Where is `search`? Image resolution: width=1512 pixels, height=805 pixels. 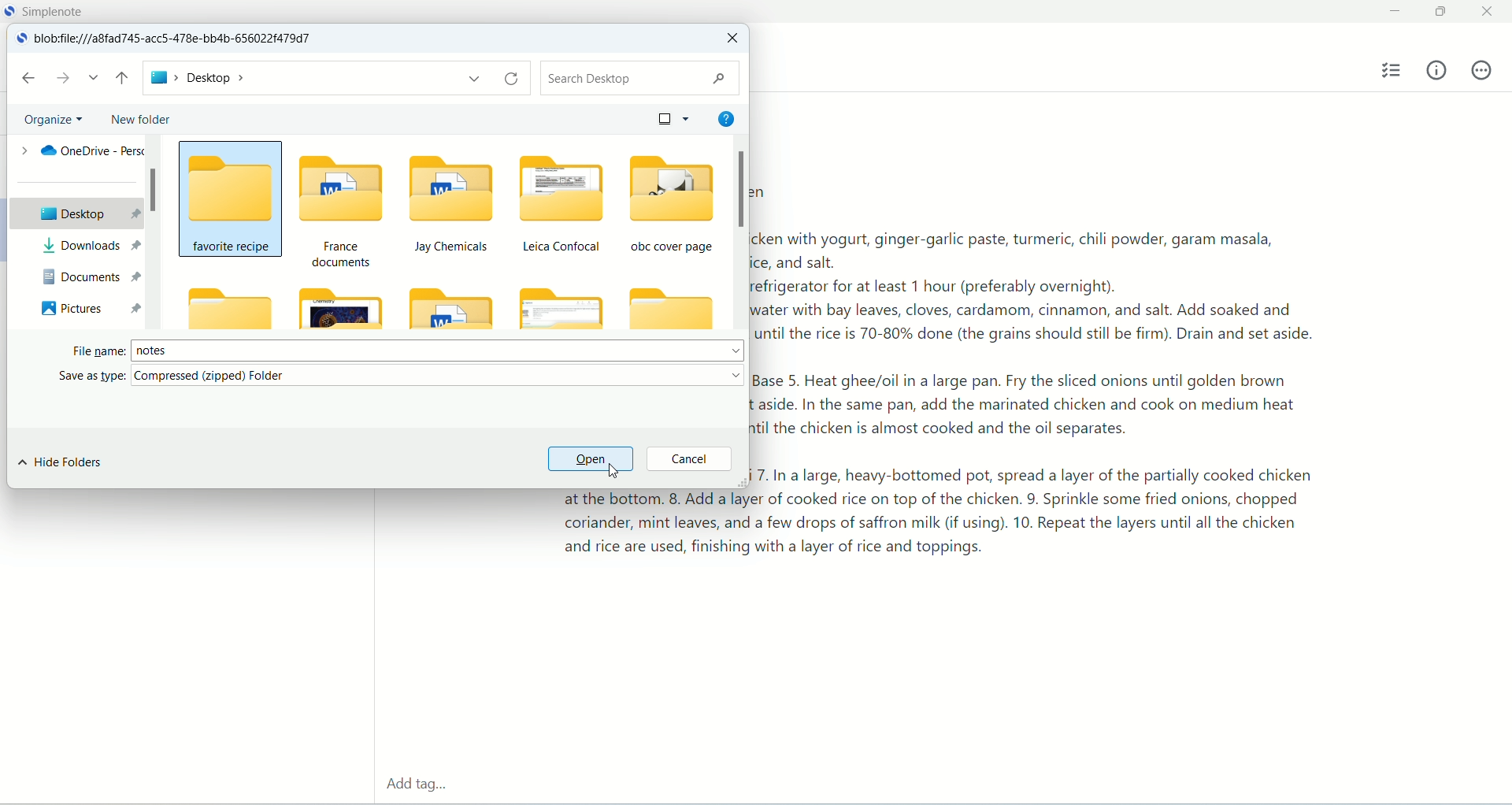 search is located at coordinates (637, 78).